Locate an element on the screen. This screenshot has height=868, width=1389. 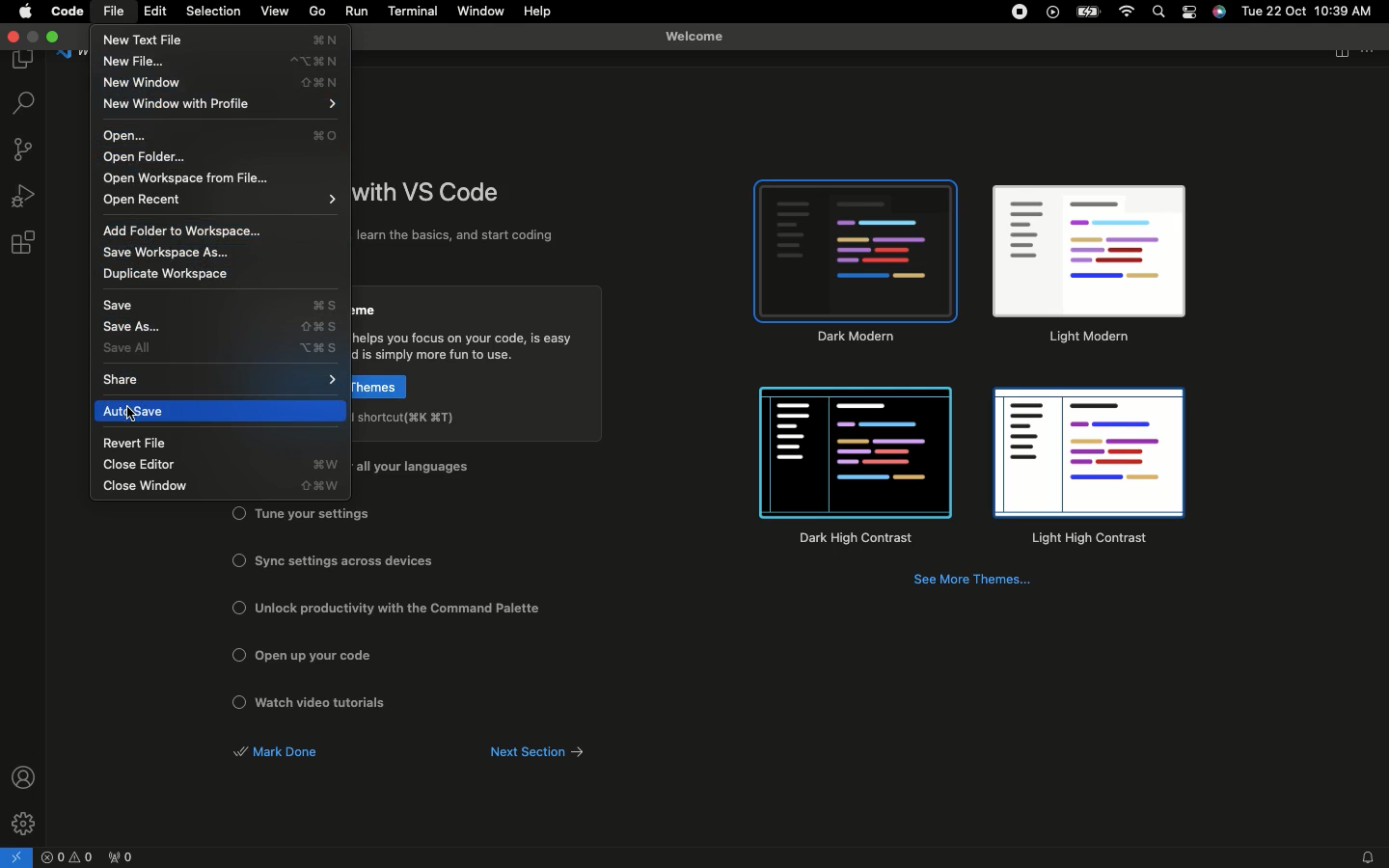
Mark done is located at coordinates (277, 752).